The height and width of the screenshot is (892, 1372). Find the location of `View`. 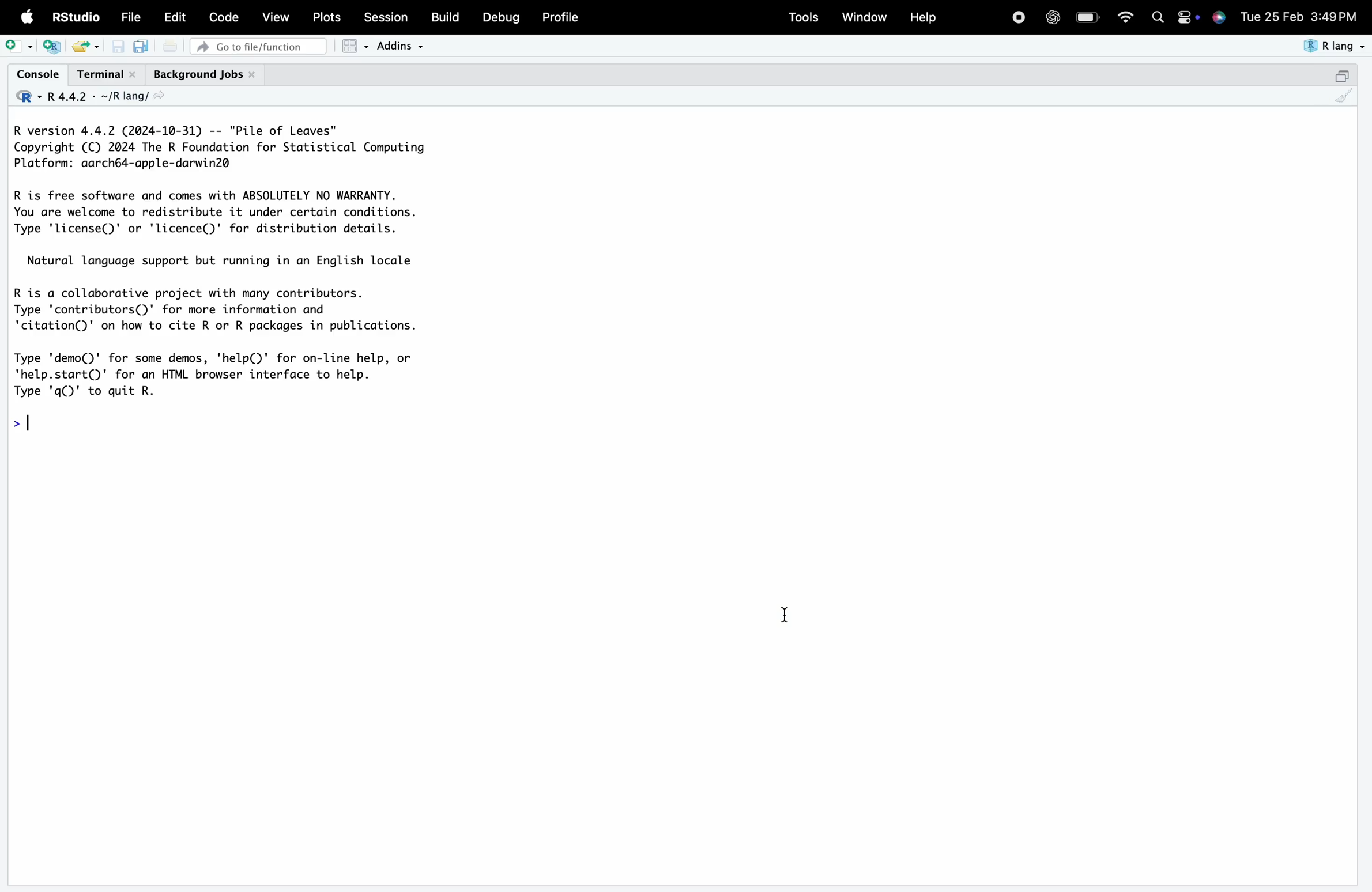

View is located at coordinates (276, 16).